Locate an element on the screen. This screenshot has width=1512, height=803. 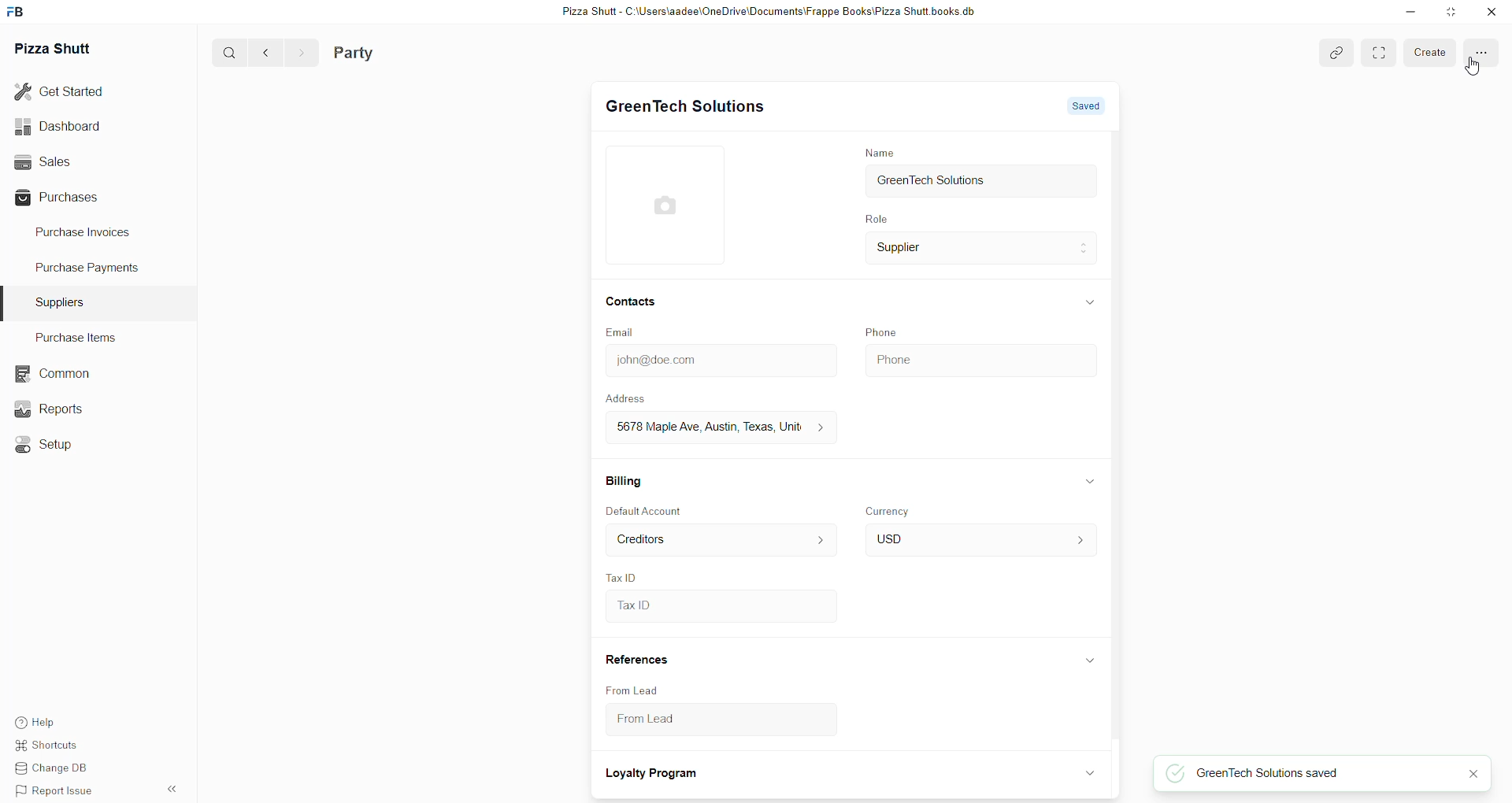
restore down is located at coordinates (1449, 13).